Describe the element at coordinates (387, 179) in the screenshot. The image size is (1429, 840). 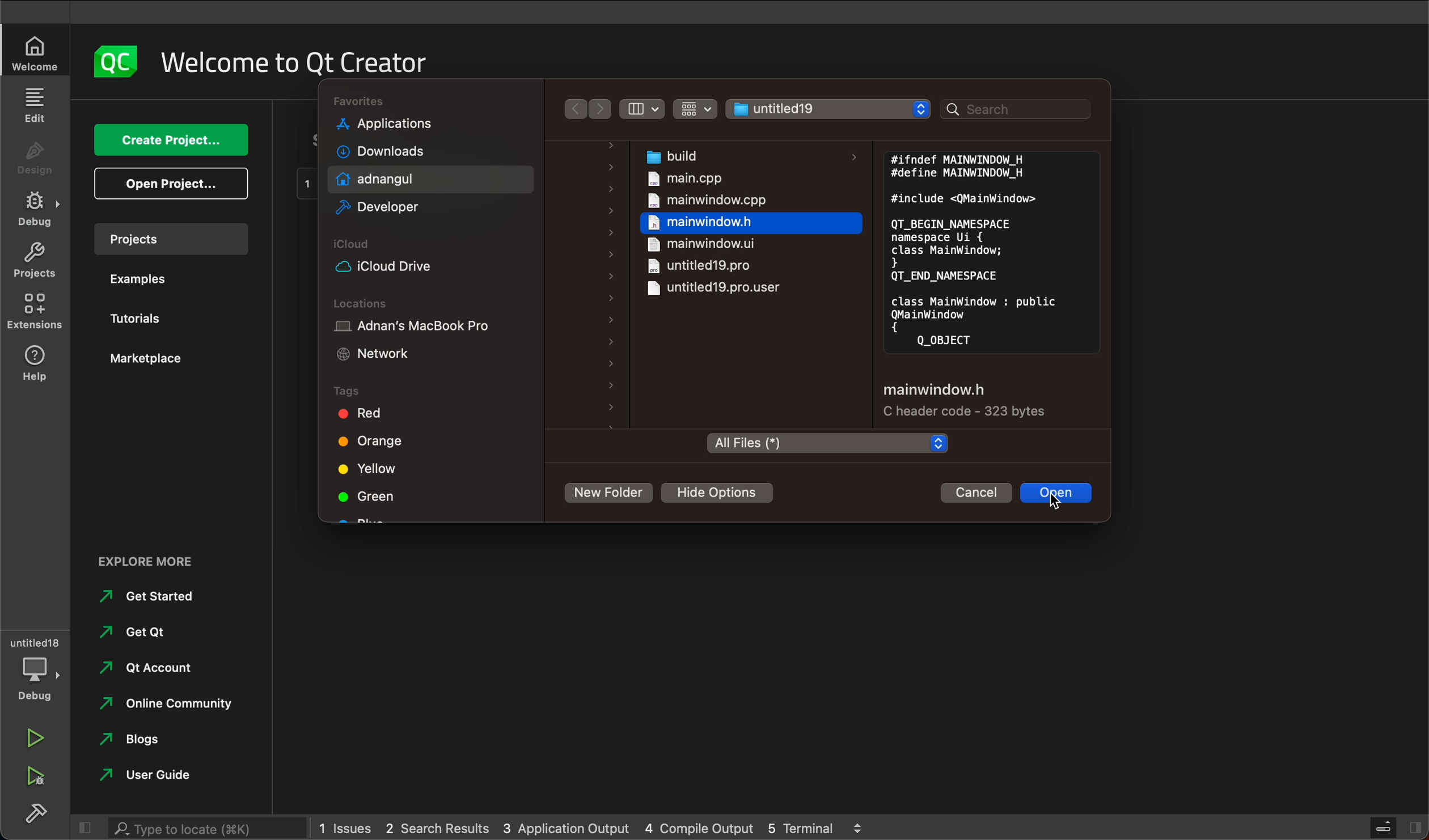
I see `adnan gul` at that location.